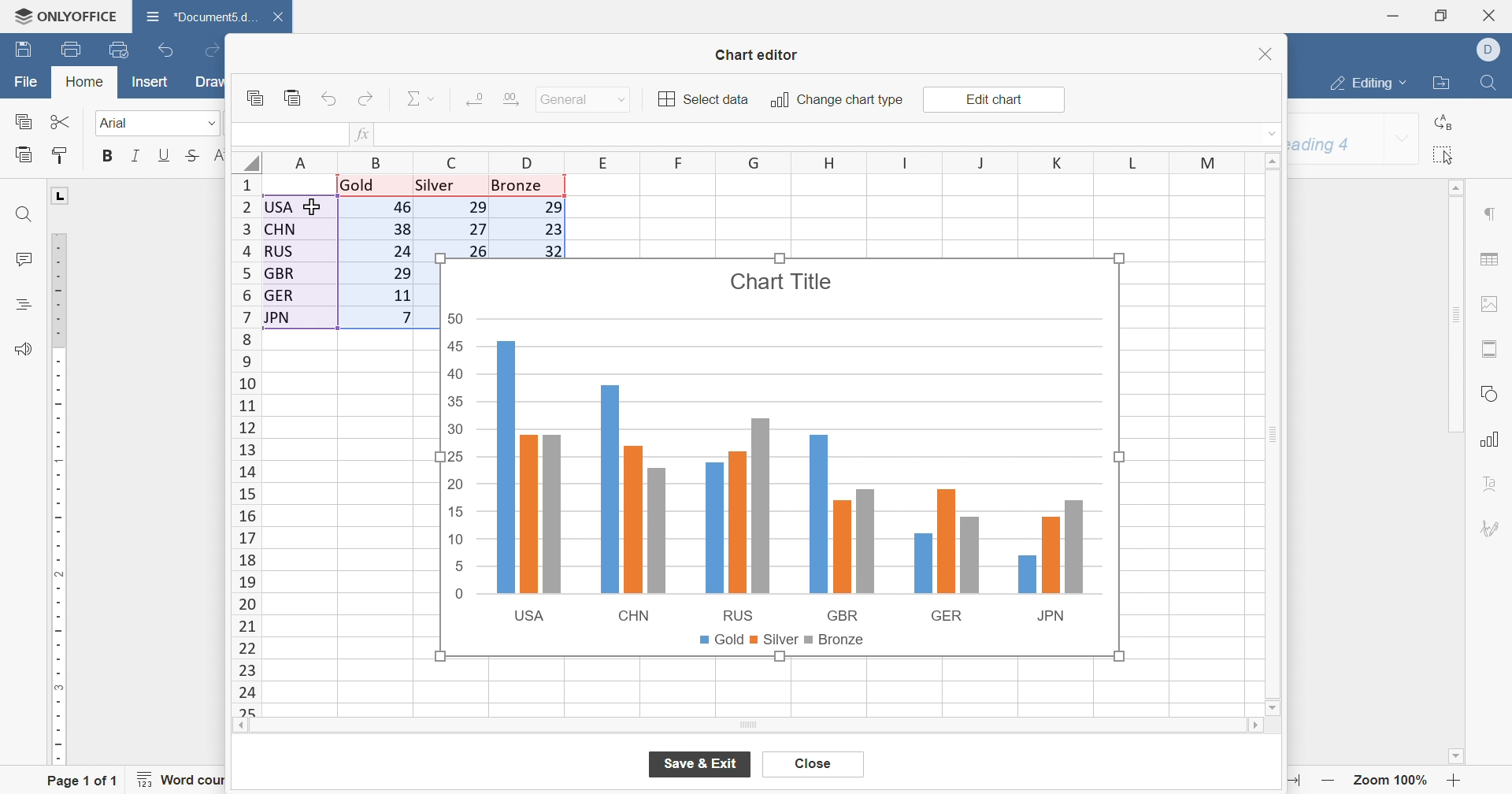  Describe the element at coordinates (567, 99) in the screenshot. I see `General` at that location.